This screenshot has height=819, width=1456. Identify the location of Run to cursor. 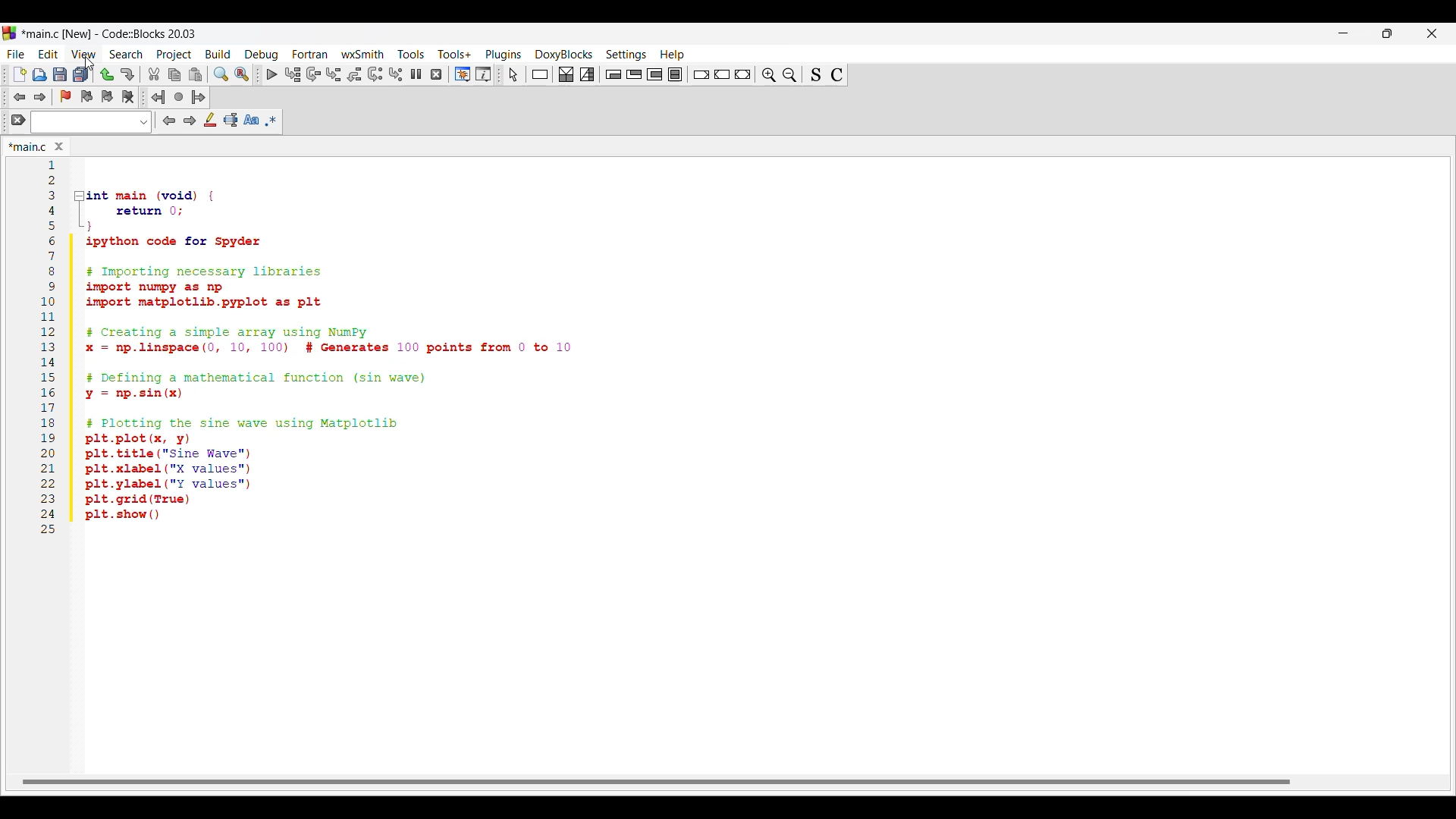
(292, 74).